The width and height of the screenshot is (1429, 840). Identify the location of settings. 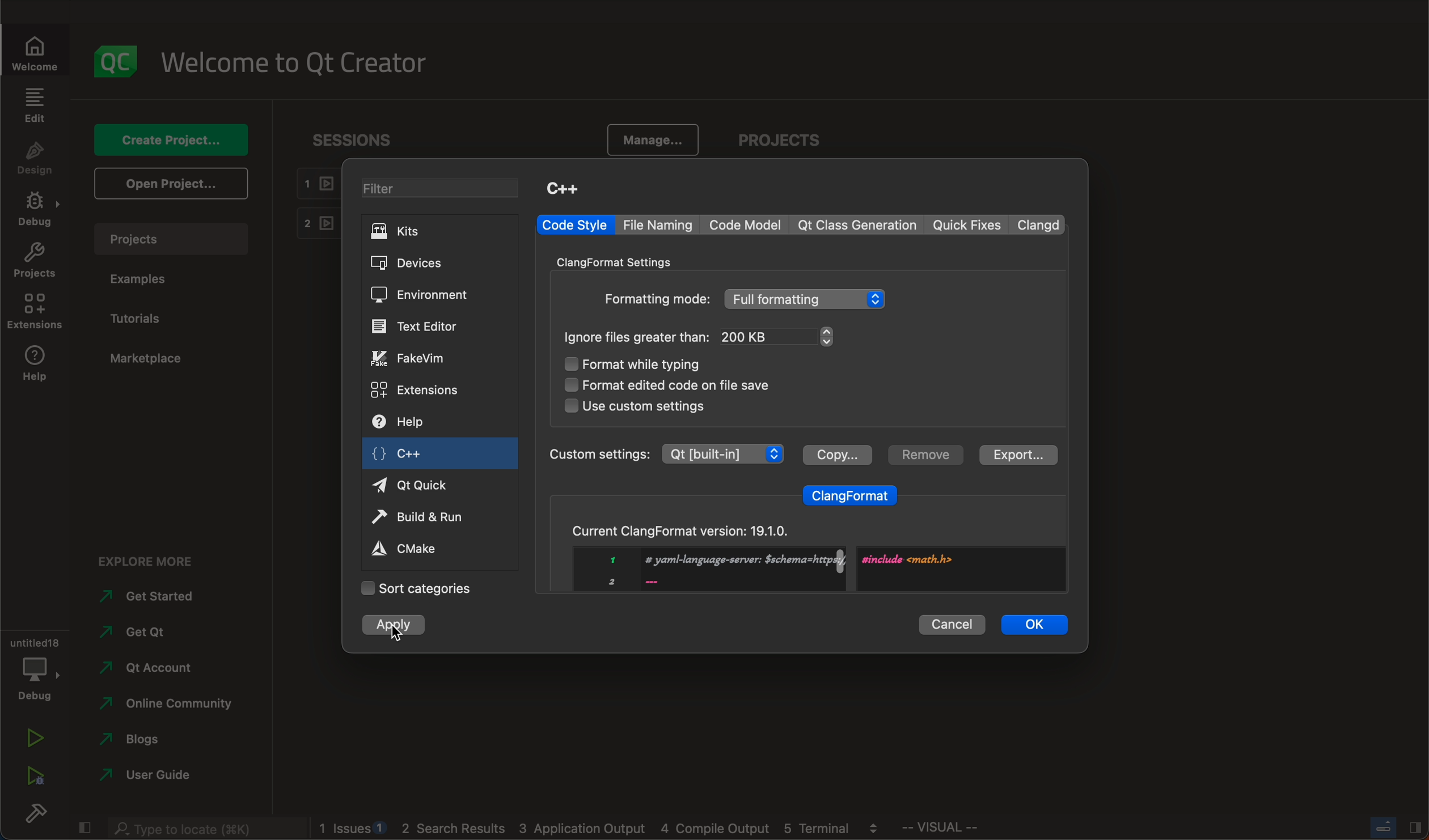
(623, 261).